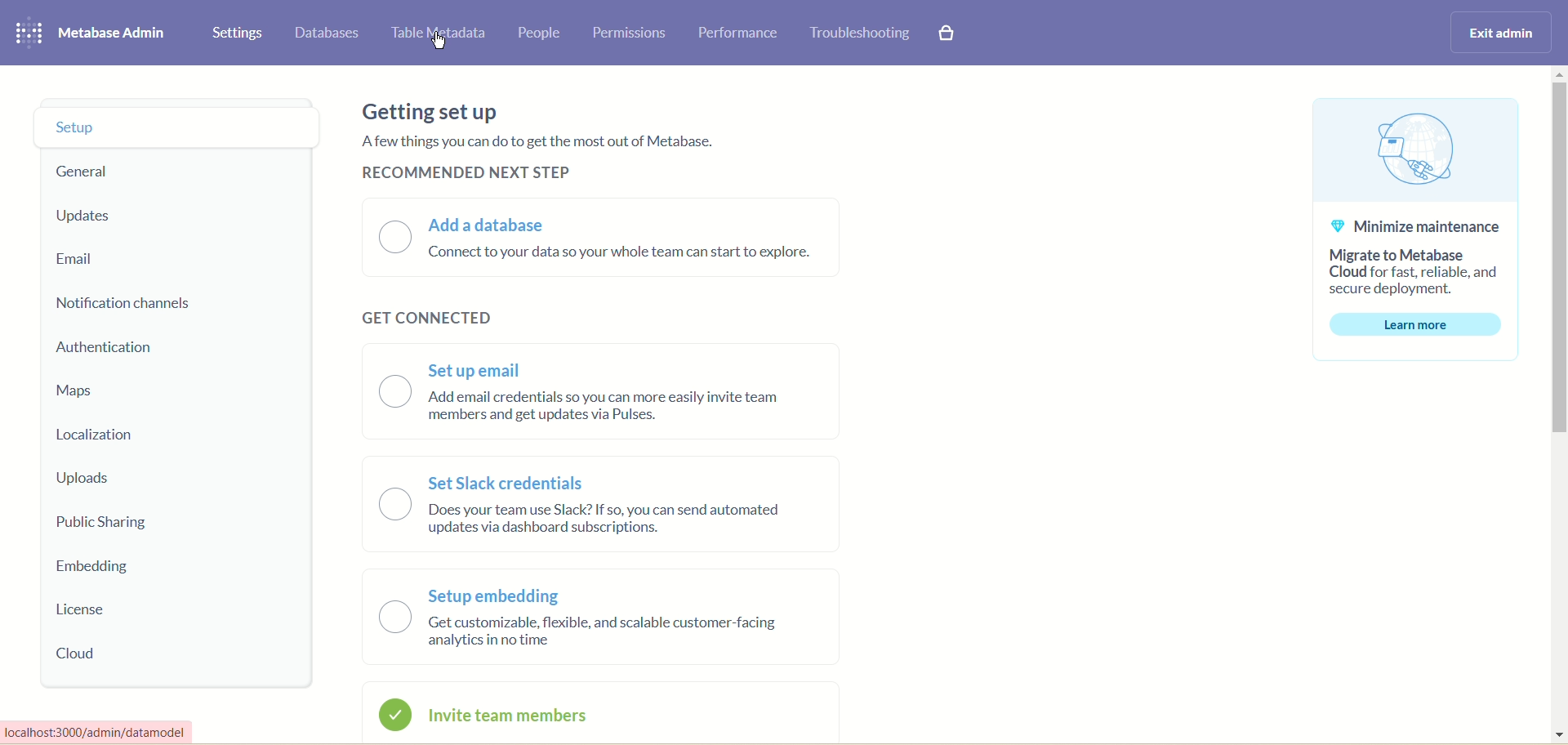  What do you see at coordinates (92, 567) in the screenshot?
I see `embedding` at bounding box center [92, 567].